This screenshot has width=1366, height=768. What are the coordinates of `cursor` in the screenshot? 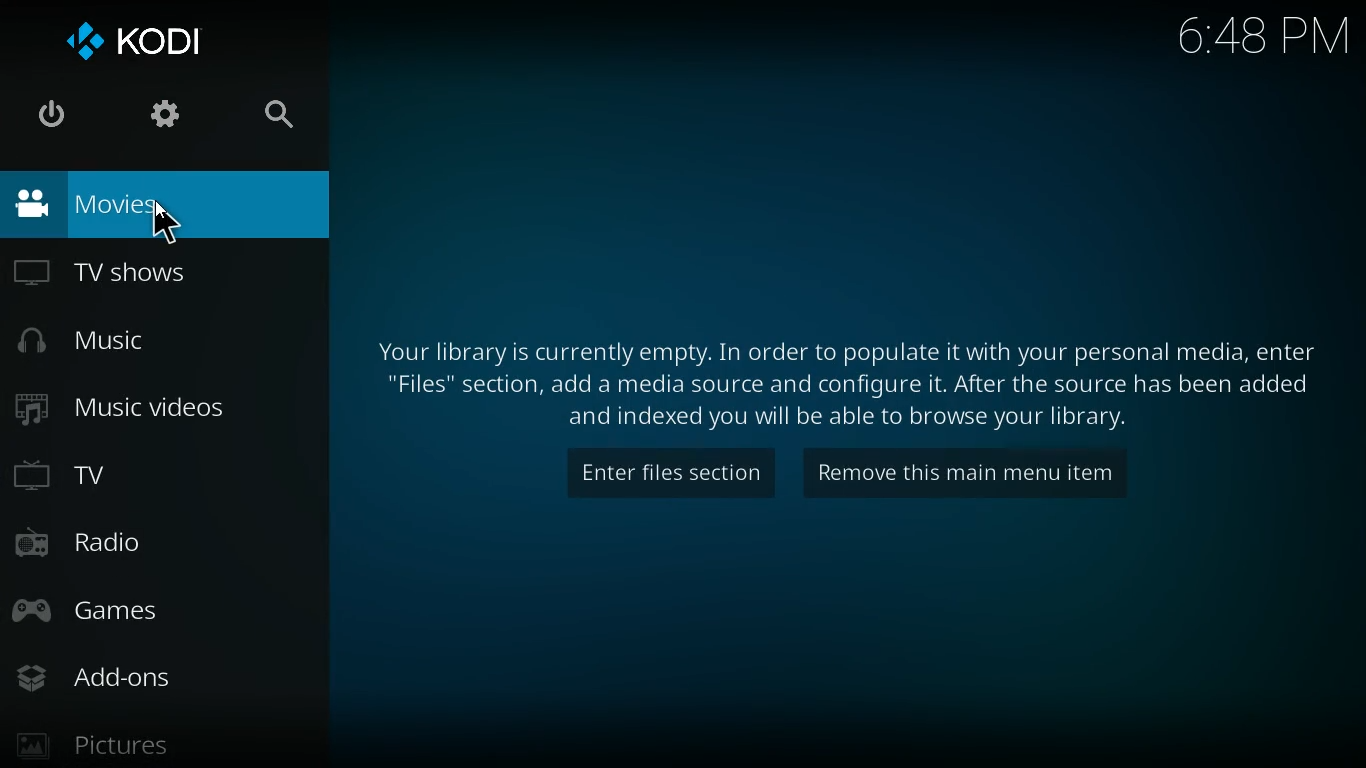 It's located at (166, 223).